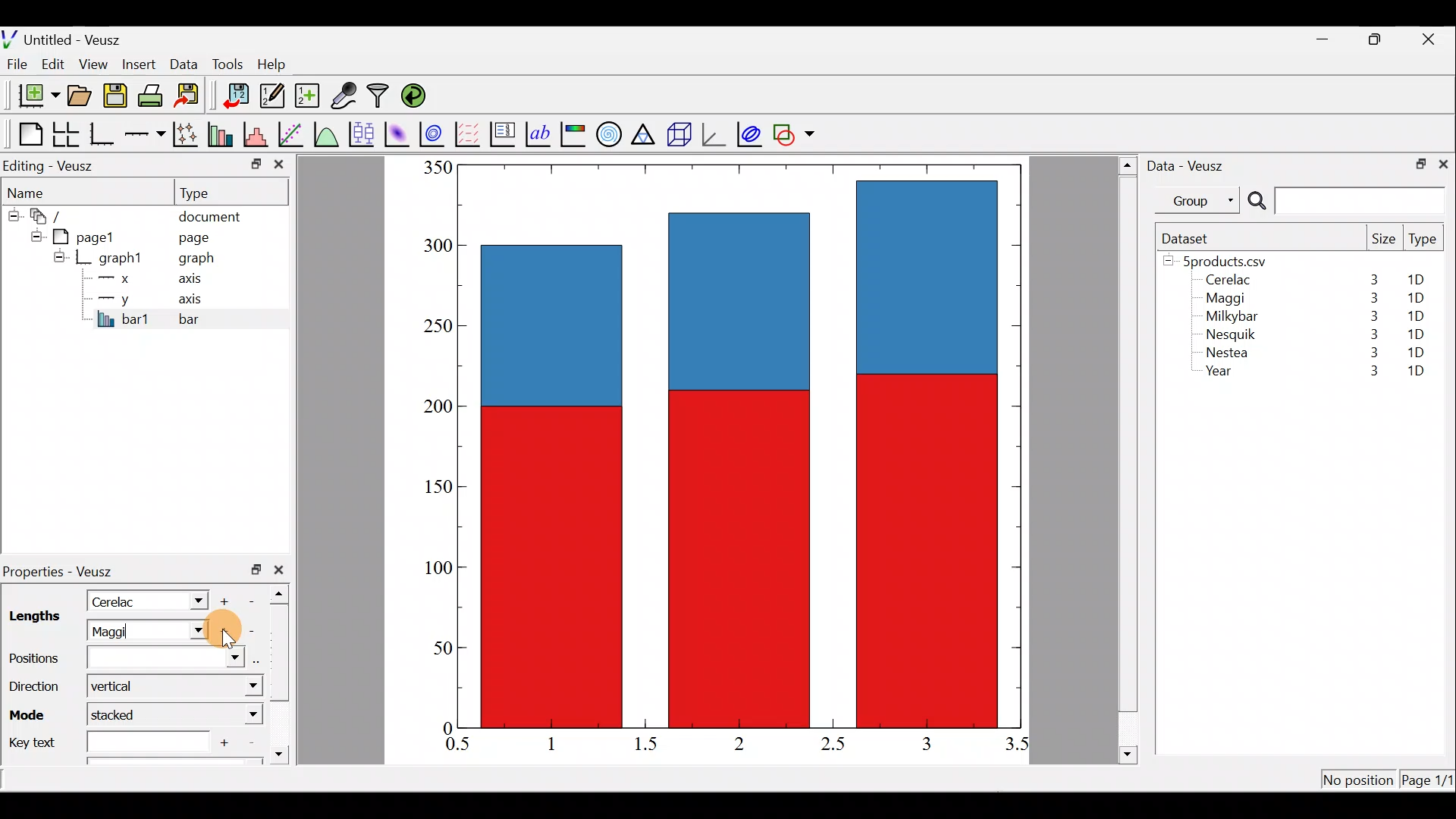 Image resolution: width=1456 pixels, height=819 pixels. What do you see at coordinates (1128, 457) in the screenshot?
I see `scroll bar` at bounding box center [1128, 457].